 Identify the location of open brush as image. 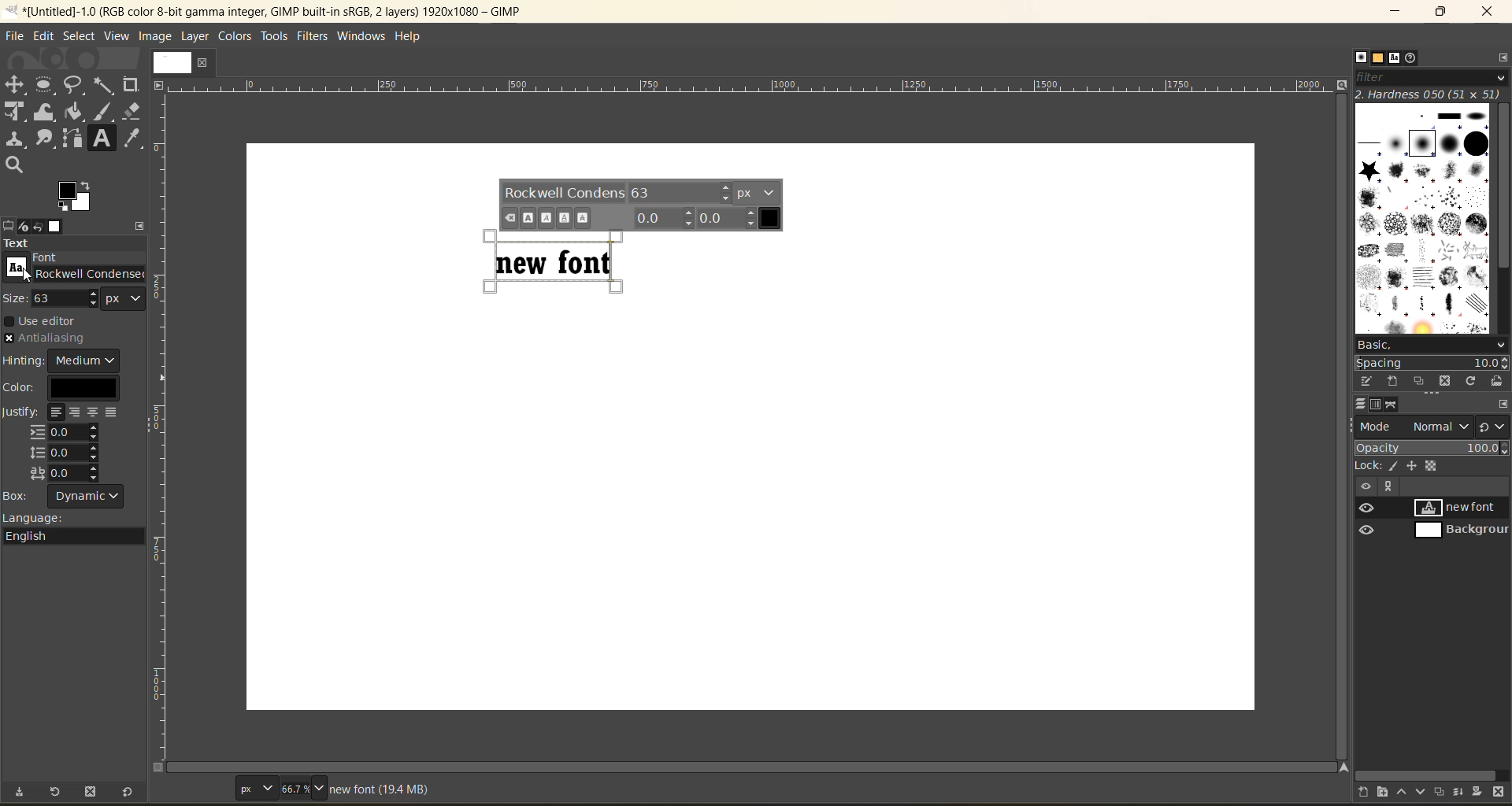
(1497, 381).